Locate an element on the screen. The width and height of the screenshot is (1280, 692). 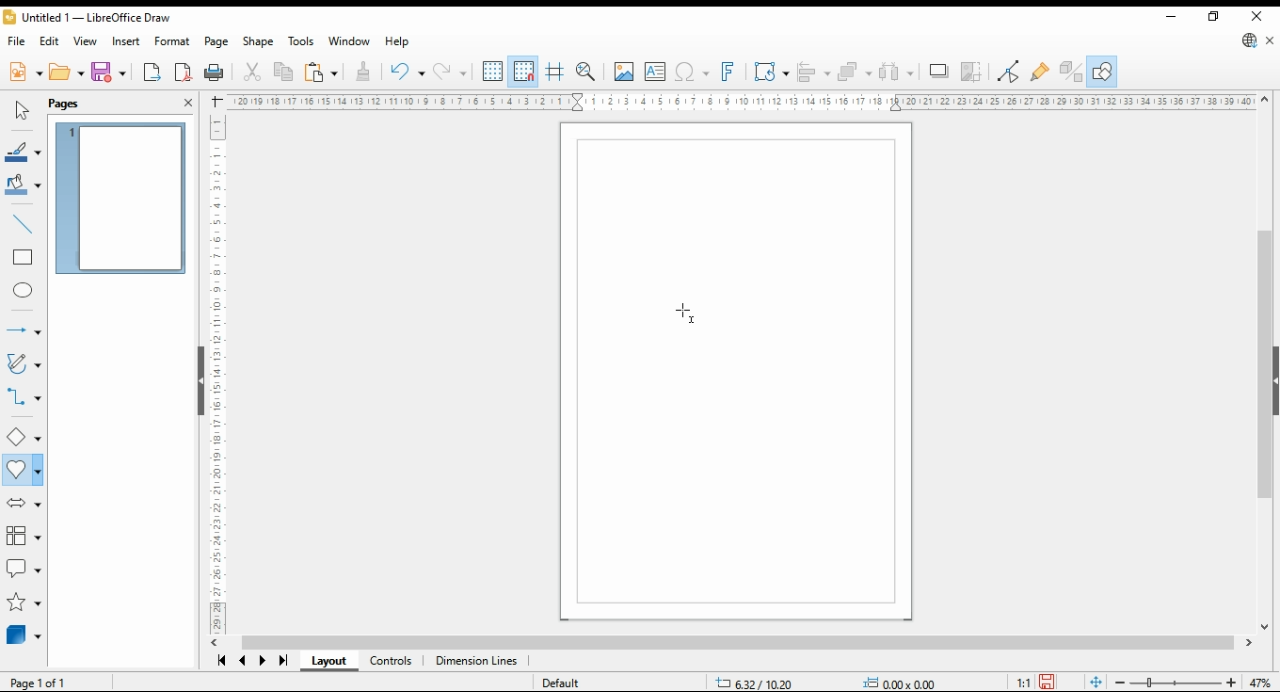
scroll bar is located at coordinates (1266, 360).